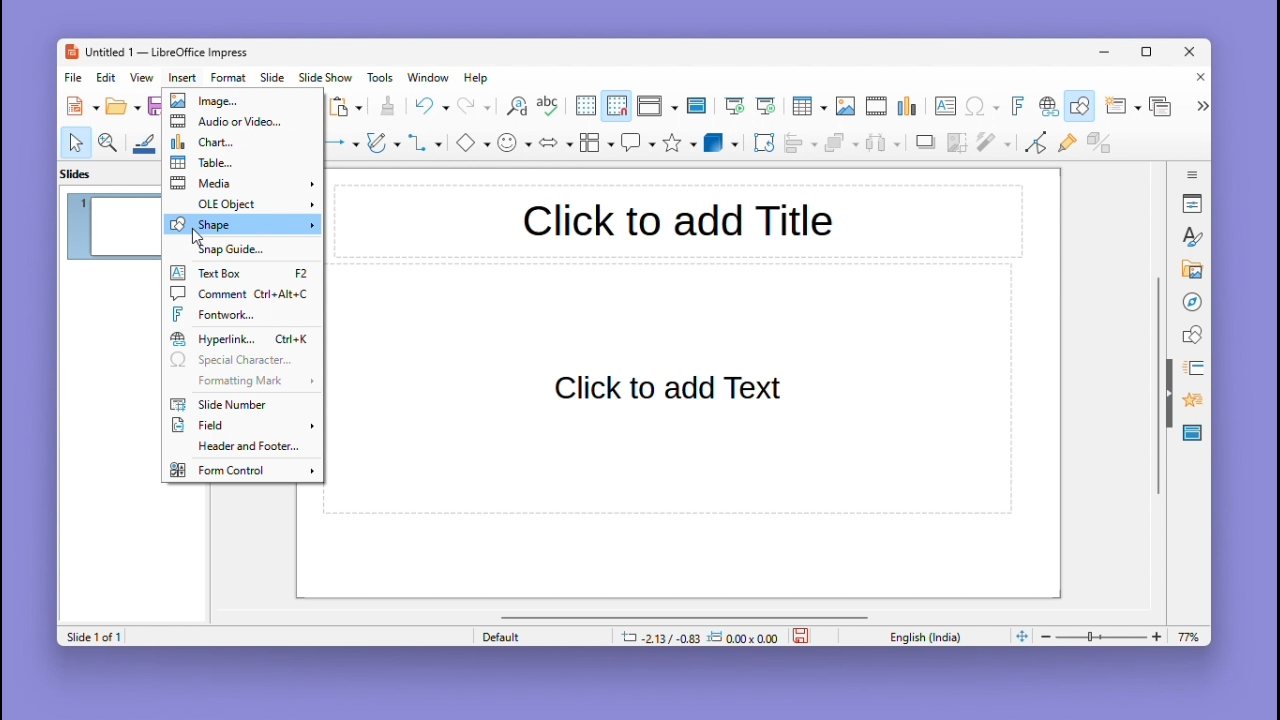 Image resolution: width=1280 pixels, height=720 pixels. I want to click on Toggle extrusion, so click(1099, 144).